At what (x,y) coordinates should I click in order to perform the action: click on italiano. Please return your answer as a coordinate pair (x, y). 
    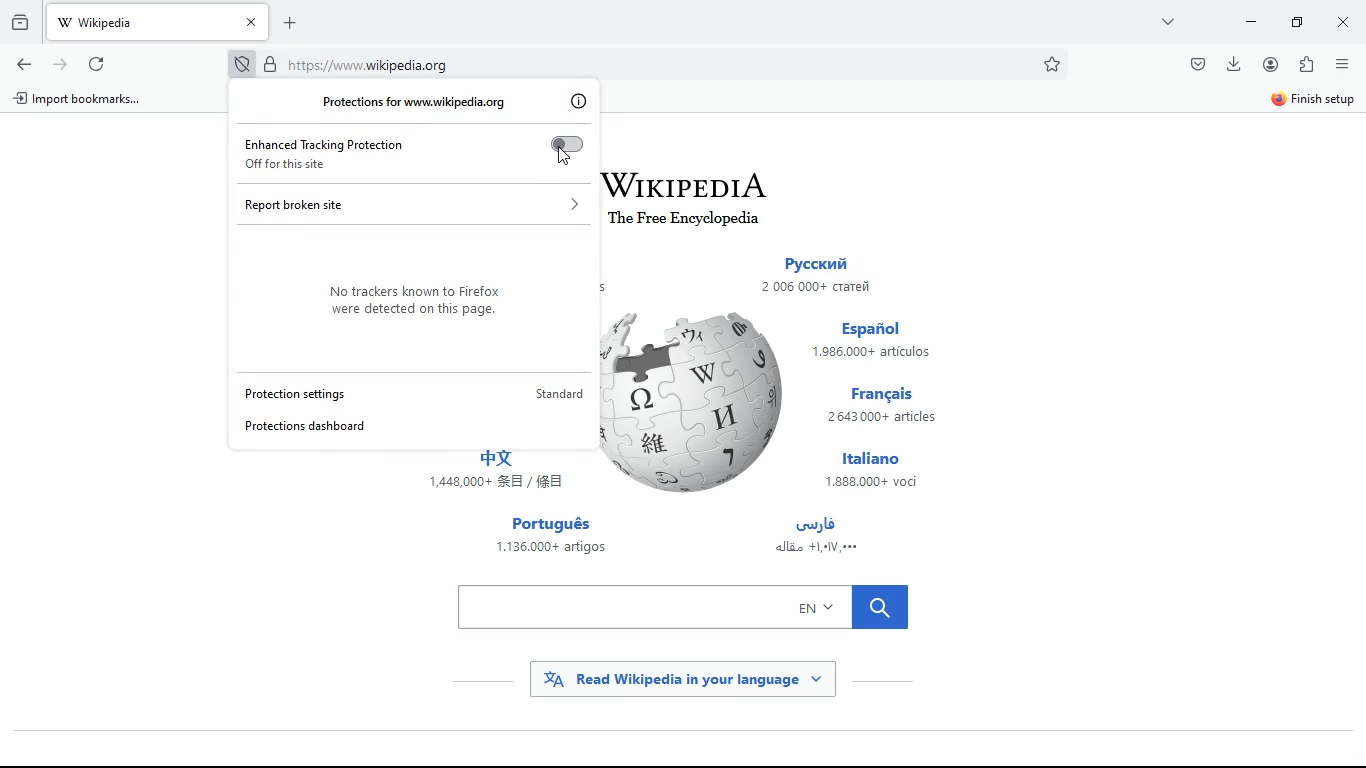
    Looking at the image, I should click on (882, 470).